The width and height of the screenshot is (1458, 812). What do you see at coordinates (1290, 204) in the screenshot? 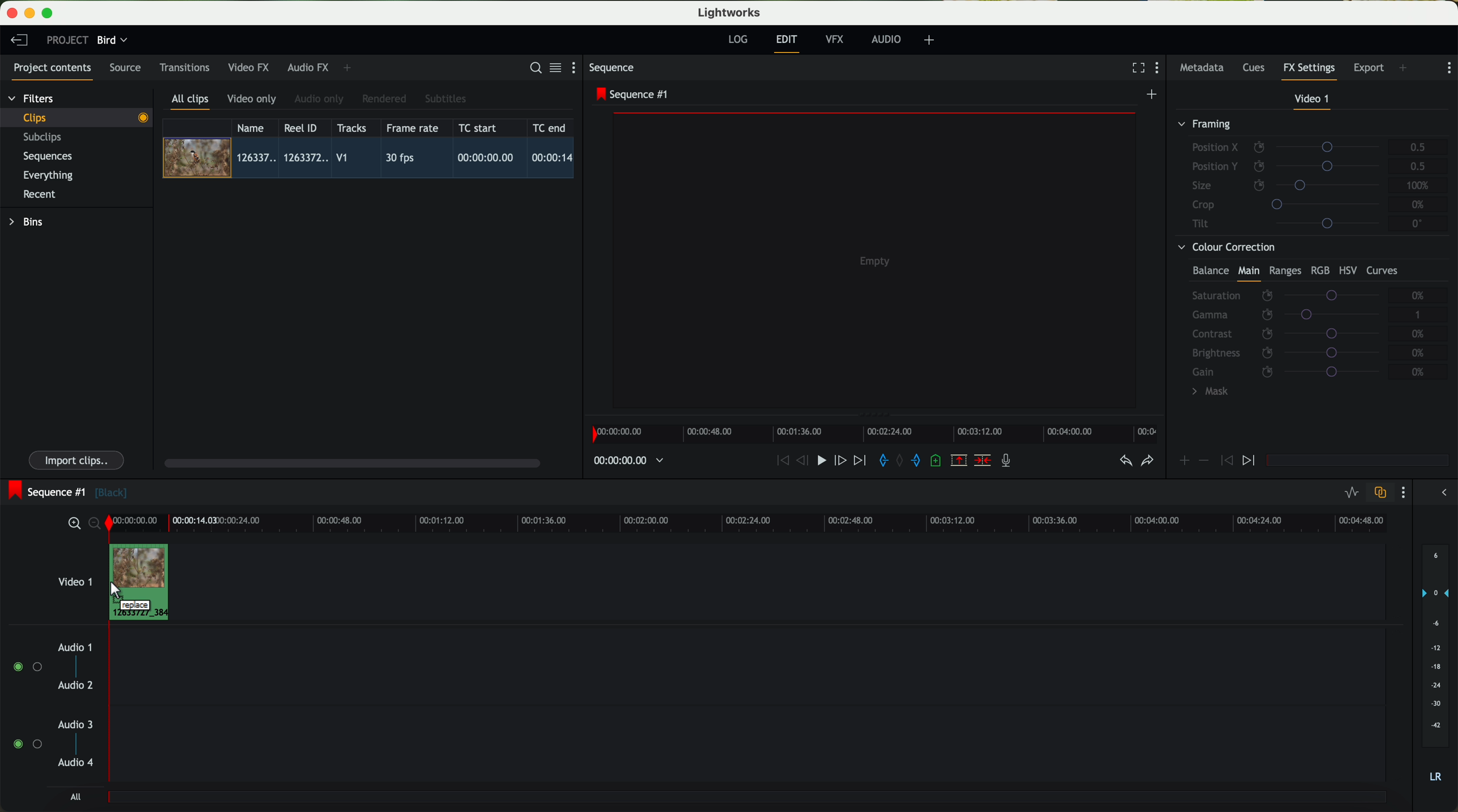
I see `crop` at bounding box center [1290, 204].